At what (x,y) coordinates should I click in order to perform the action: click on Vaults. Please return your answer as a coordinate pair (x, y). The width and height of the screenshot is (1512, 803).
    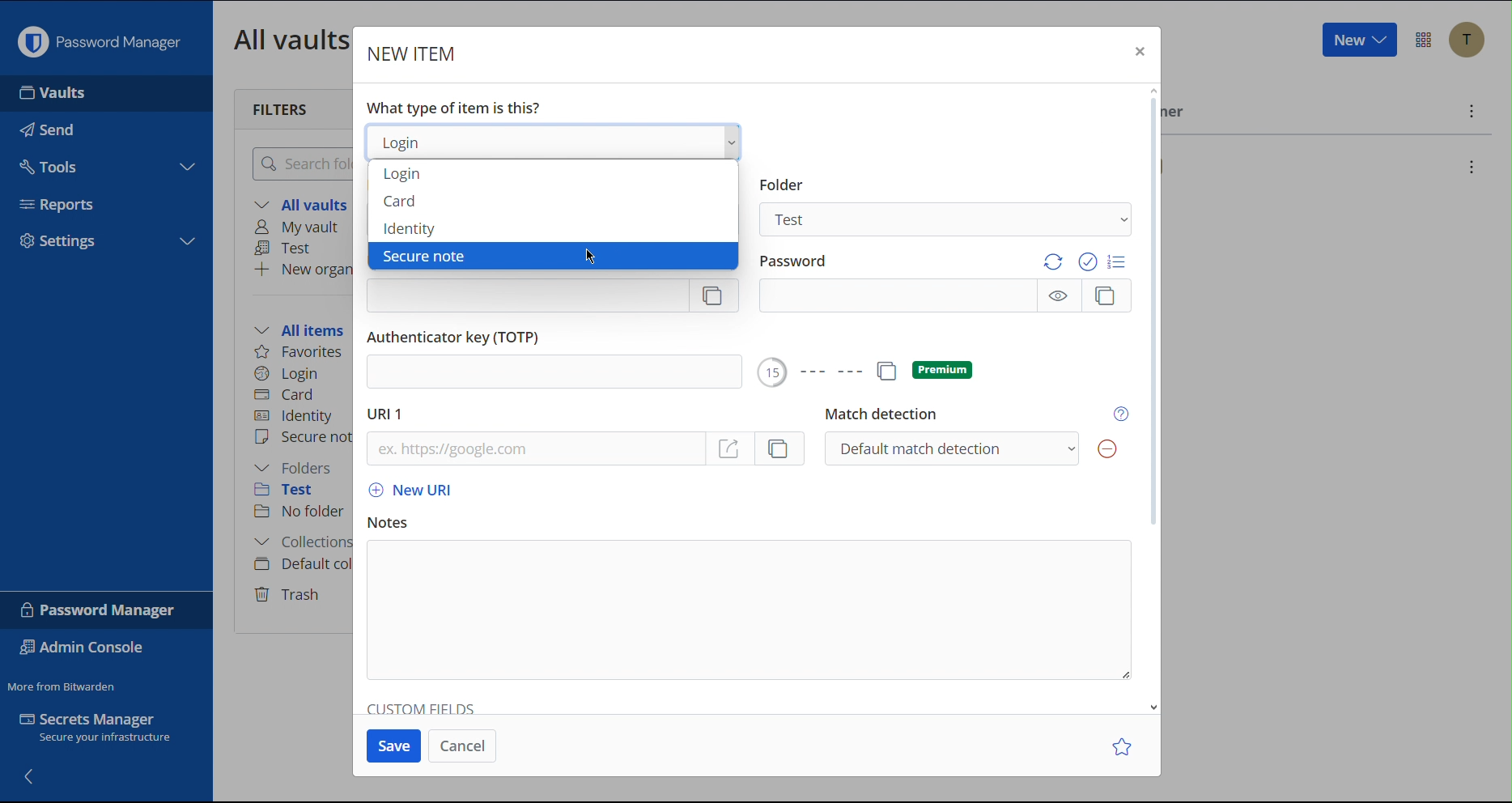
    Looking at the image, I should click on (101, 93).